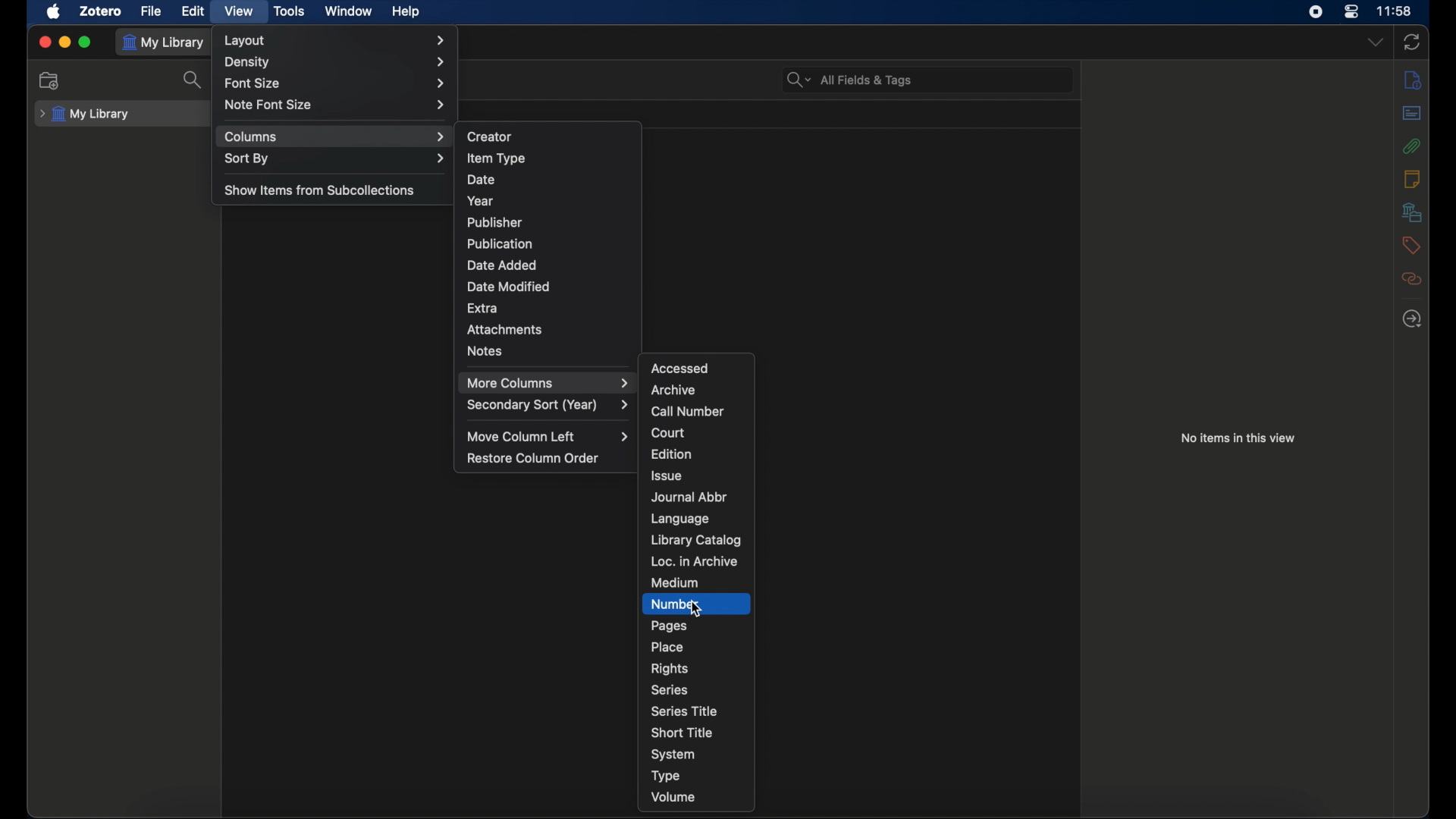 This screenshot has width=1456, height=819. What do you see at coordinates (670, 690) in the screenshot?
I see `series` at bounding box center [670, 690].